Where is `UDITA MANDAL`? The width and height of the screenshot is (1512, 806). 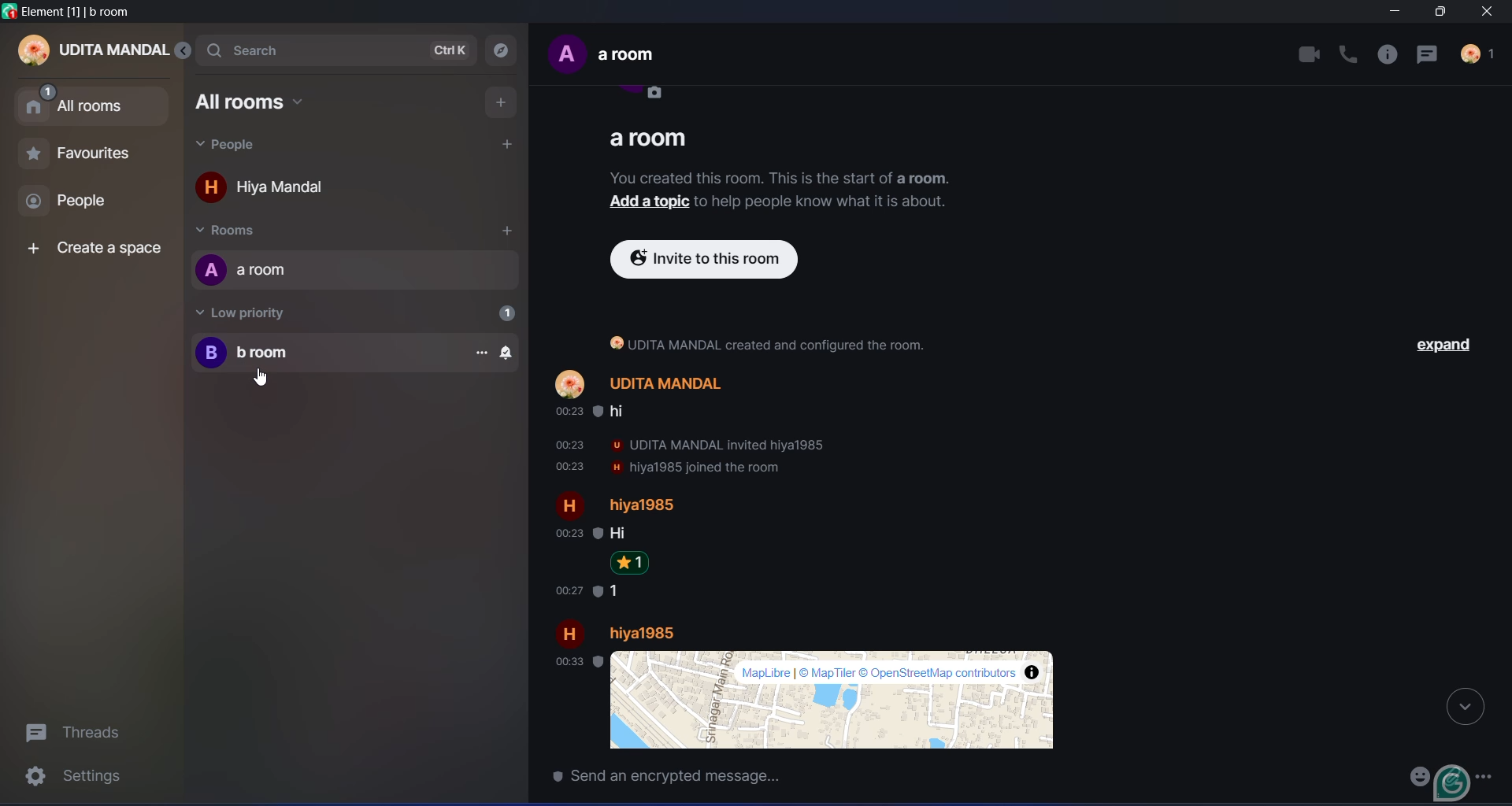
UDITA MANDAL is located at coordinates (94, 52).